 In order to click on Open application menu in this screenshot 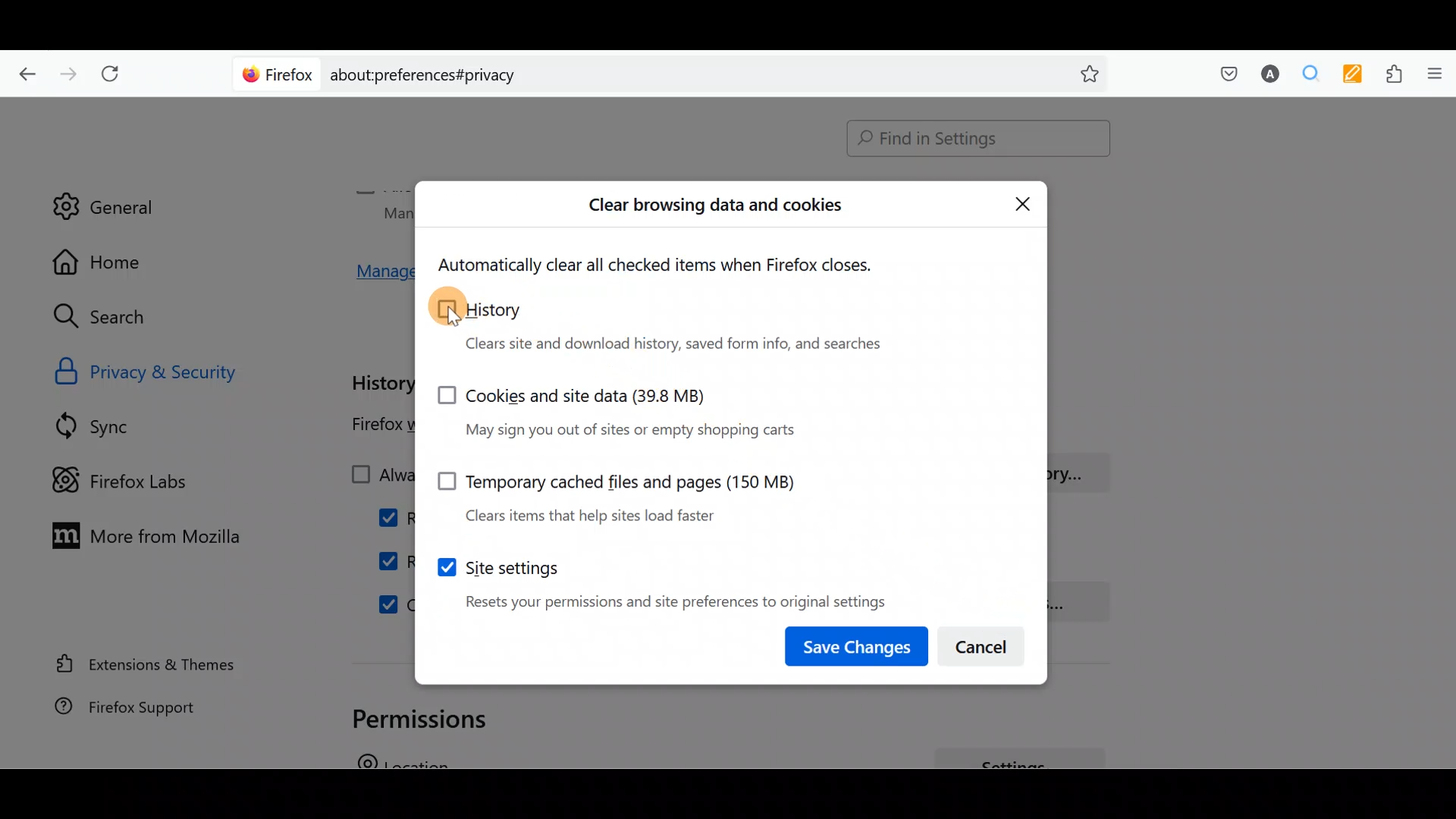, I will do `click(1433, 75)`.